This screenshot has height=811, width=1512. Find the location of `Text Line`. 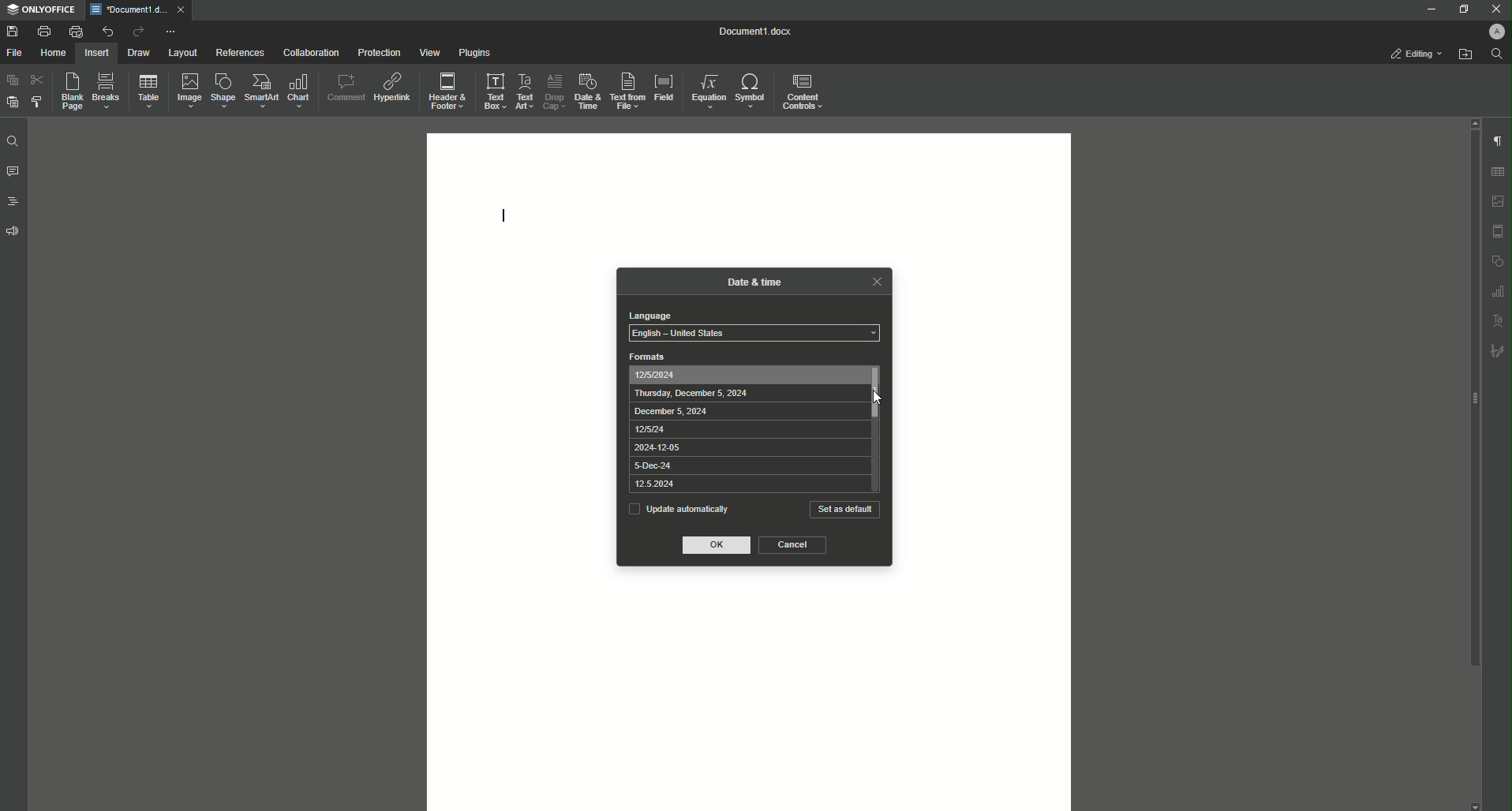

Text Line is located at coordinates (505, 212).